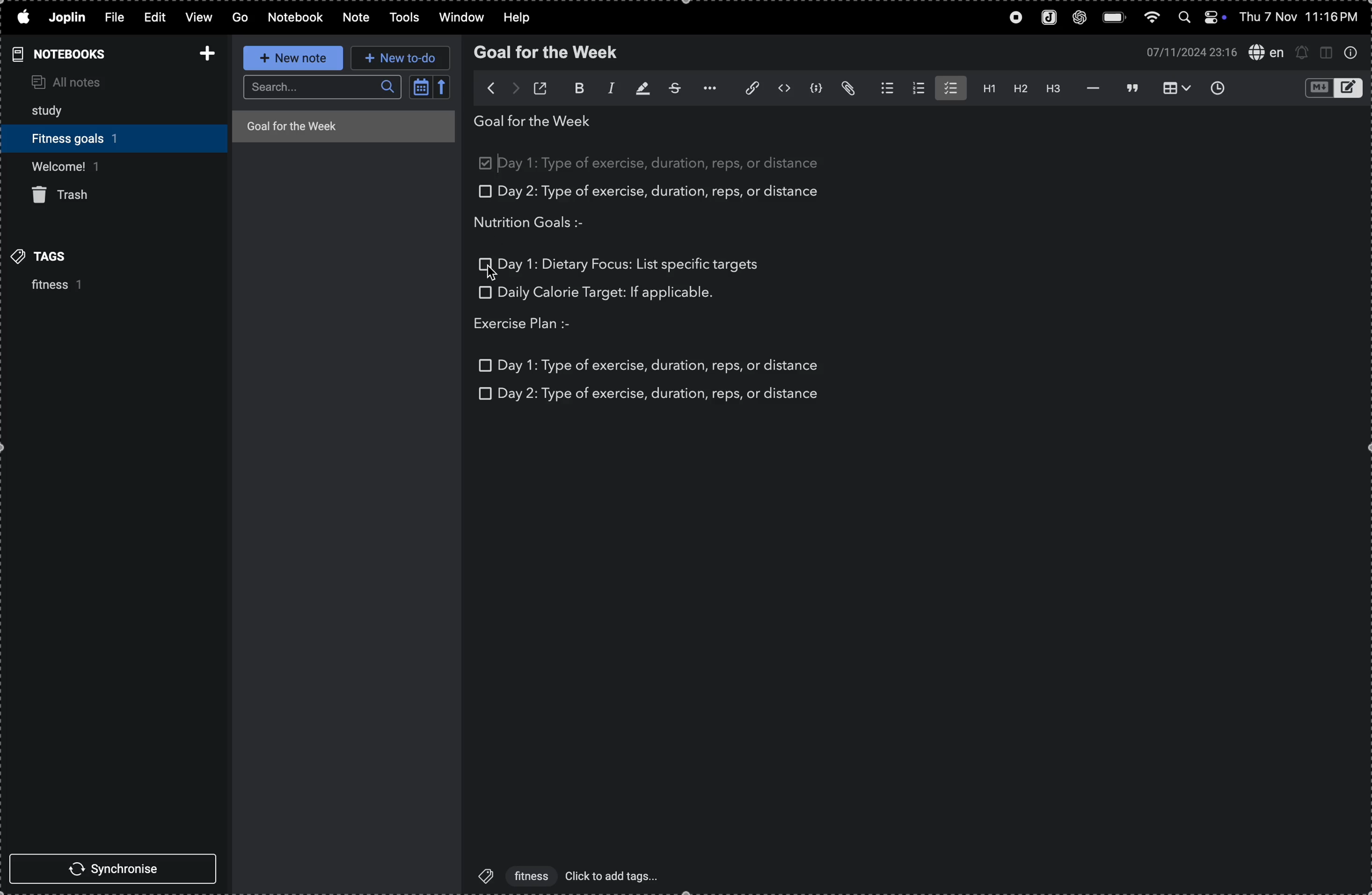 The height and width of the screenshot is (895, 1372). I want to click on italic, so click(604, 89).